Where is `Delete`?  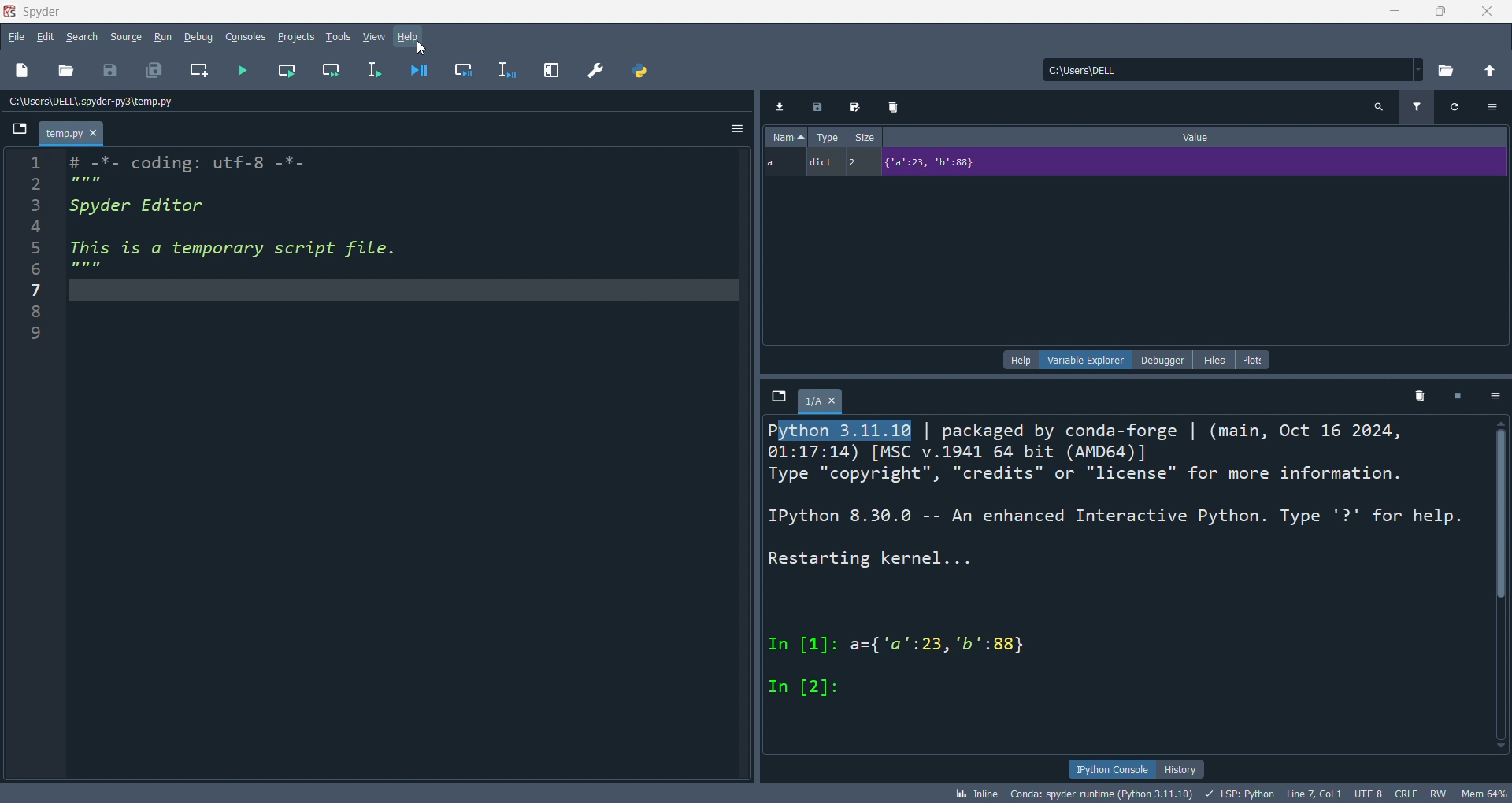
Delete is located at coordinates (1421, 396).